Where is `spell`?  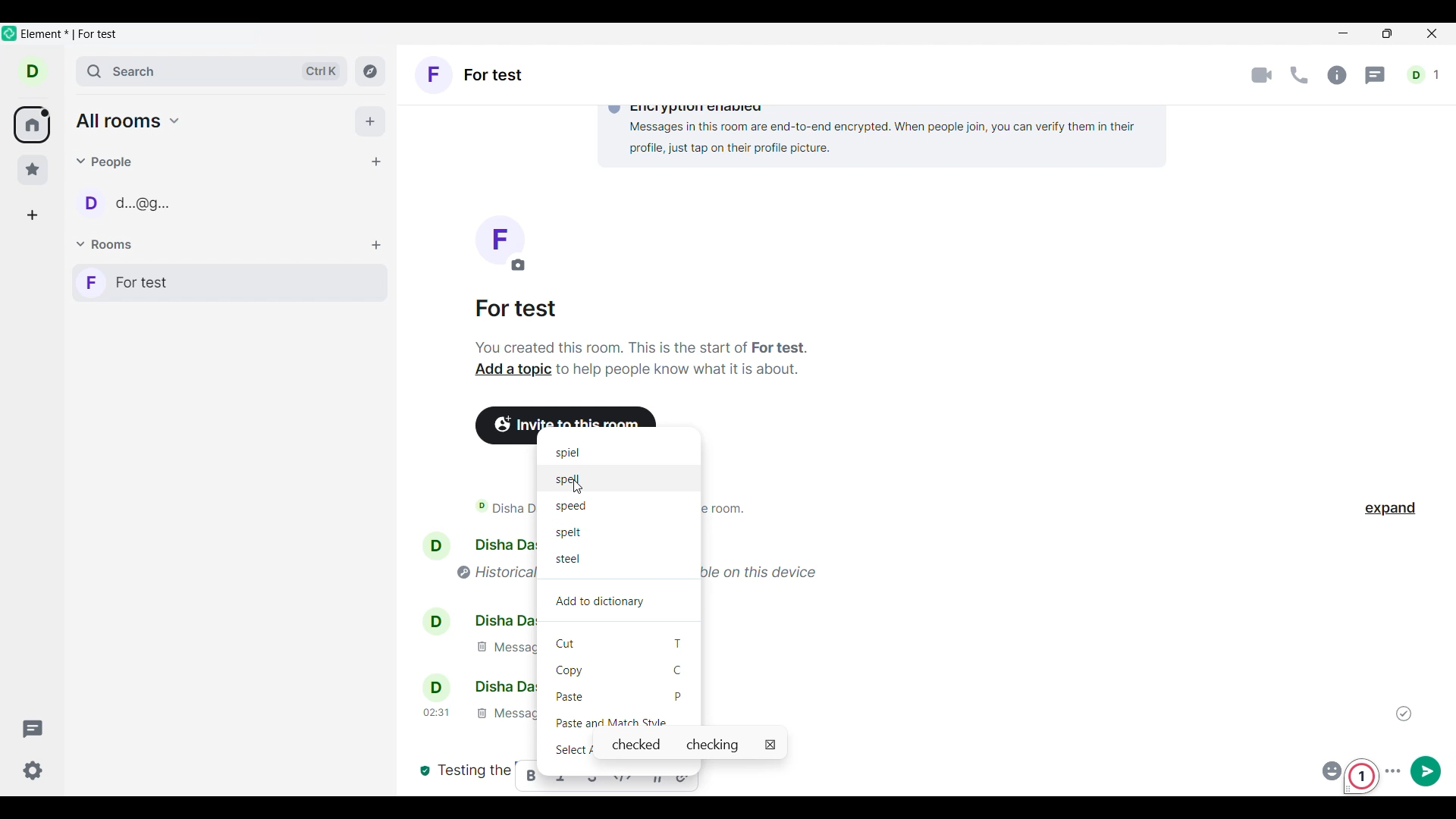 spell is located at coordinates (567, 478).